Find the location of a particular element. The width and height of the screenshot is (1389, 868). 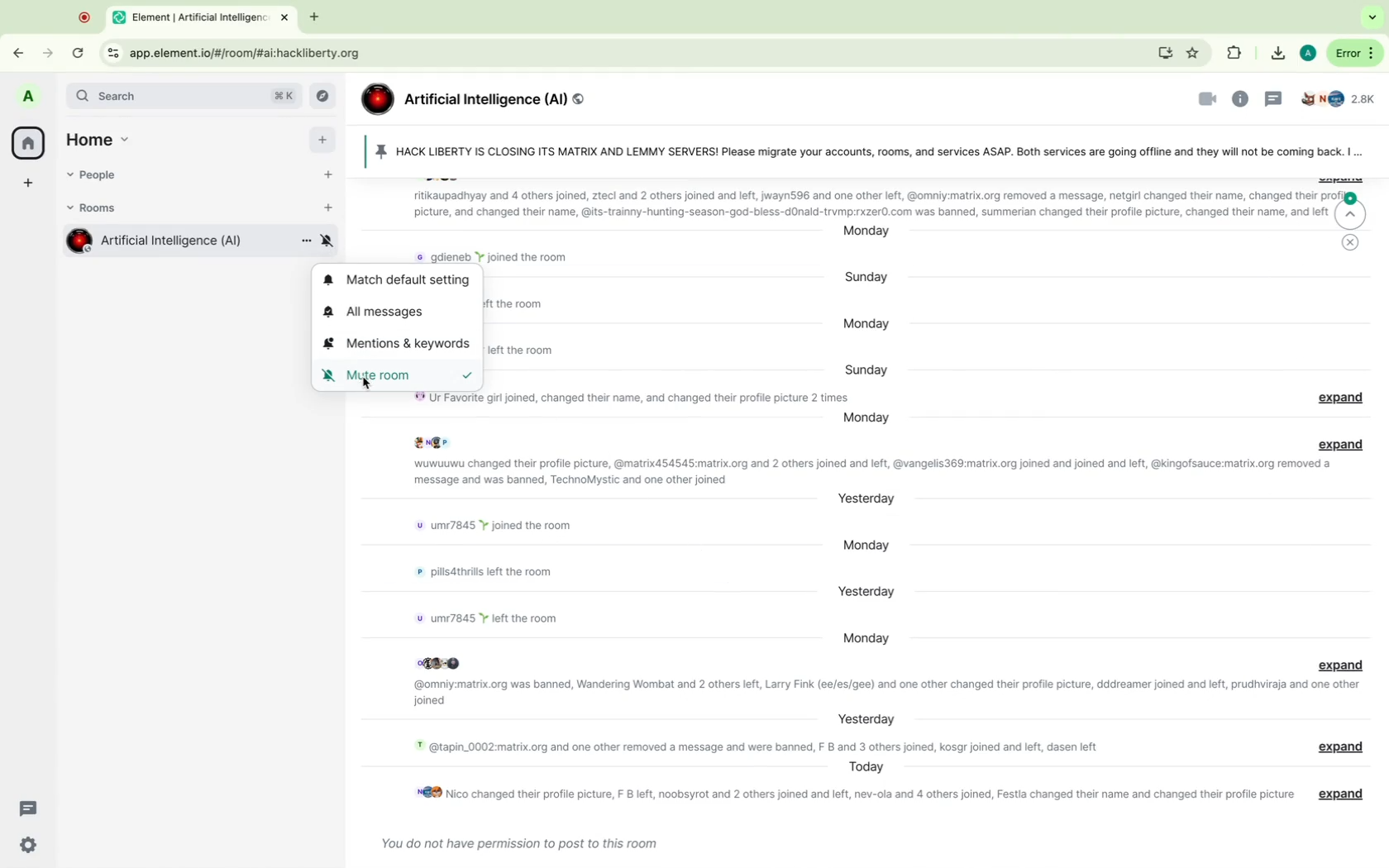

mentions & keywords is located at coordinates (400, 344).